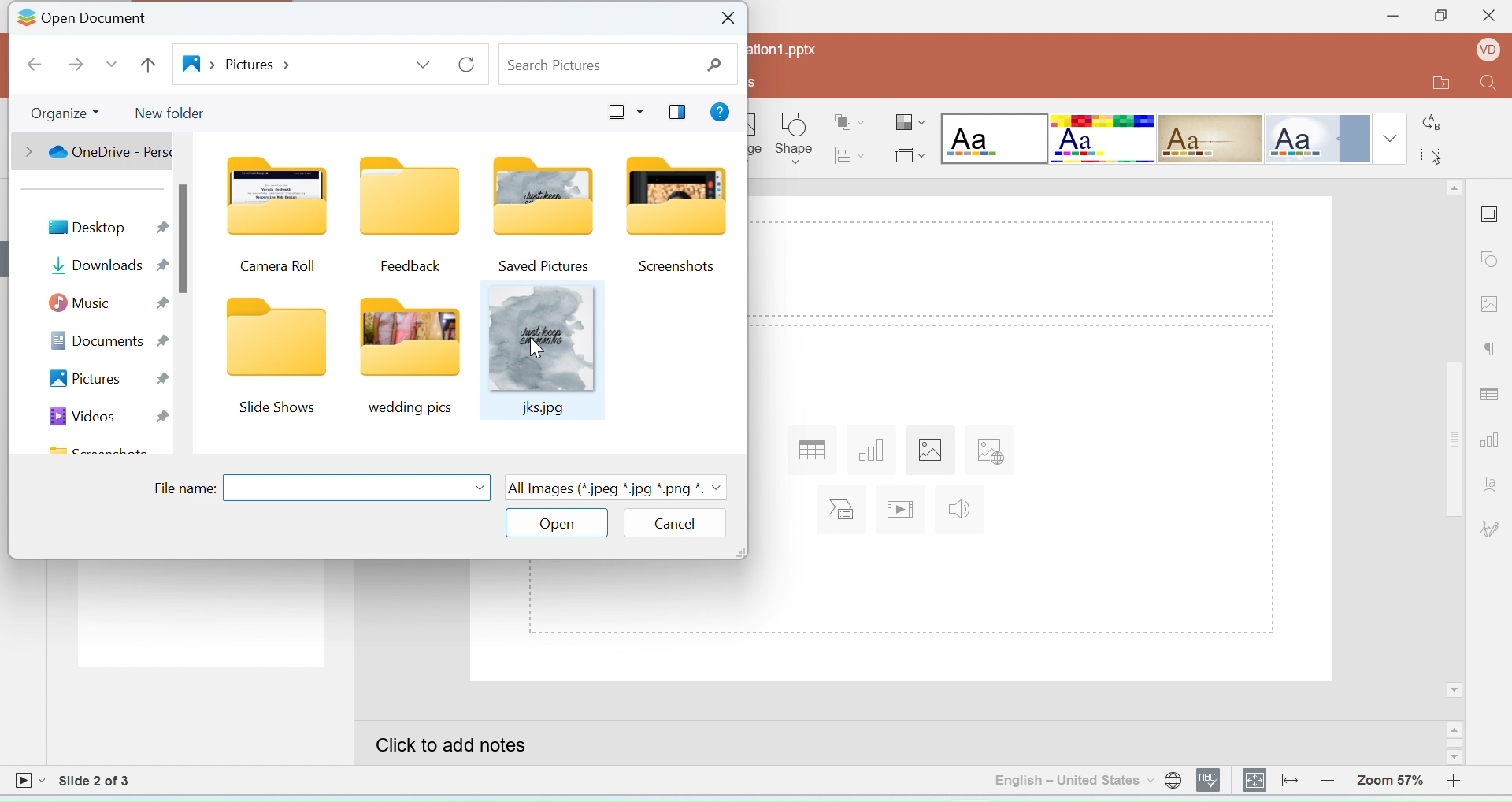 The height and width of the screenshot is (802, 1512). What do you see at coordinates (100, 20) in the screenshot?
I see `open document` at bounding box center [100, 20].